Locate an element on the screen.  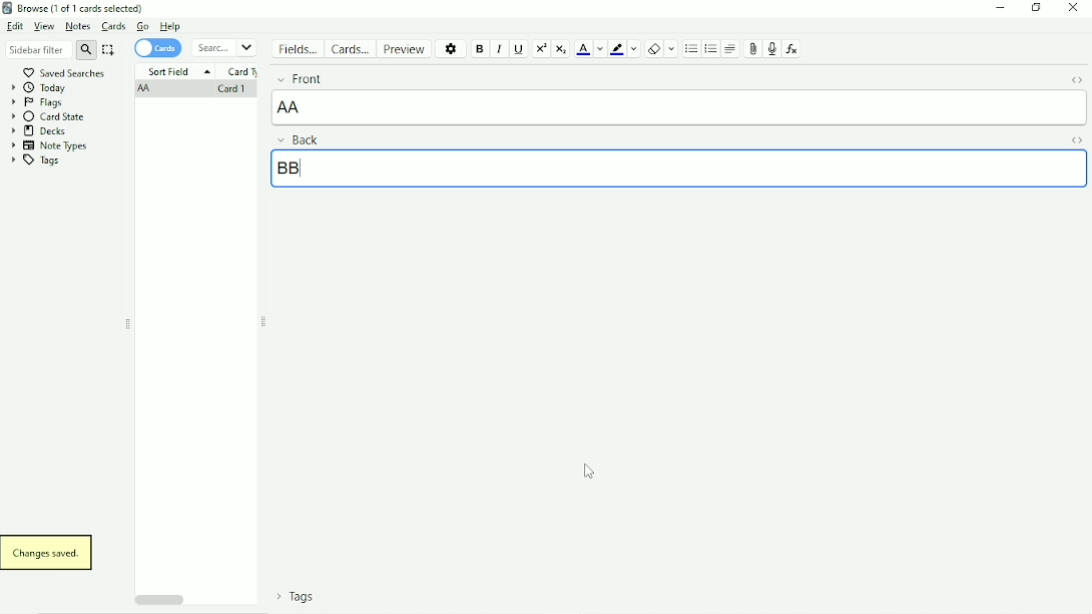
View is located at coordinates (44, 27).